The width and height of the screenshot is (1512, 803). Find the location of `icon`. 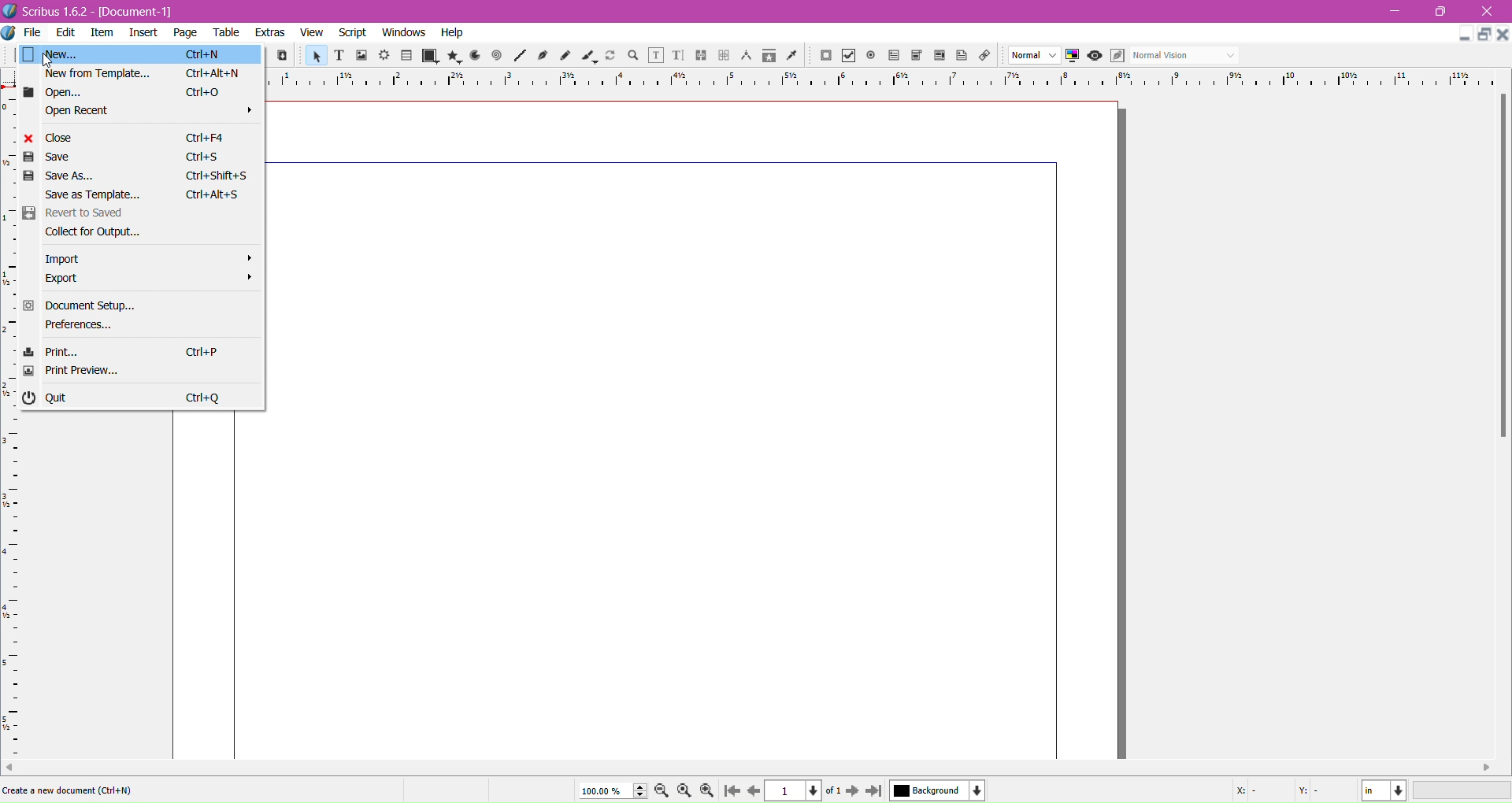

icon is located at coordinates (408, 56).